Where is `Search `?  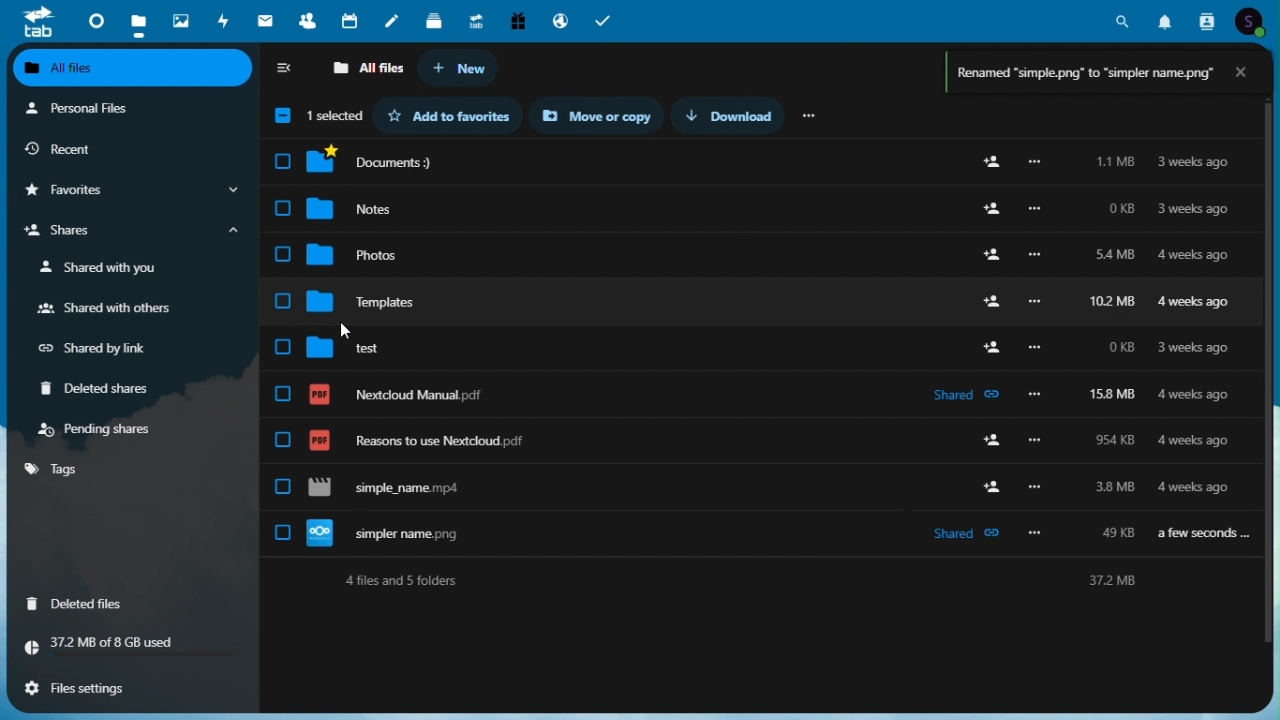
Search  is located at coordinates (1123, 18).